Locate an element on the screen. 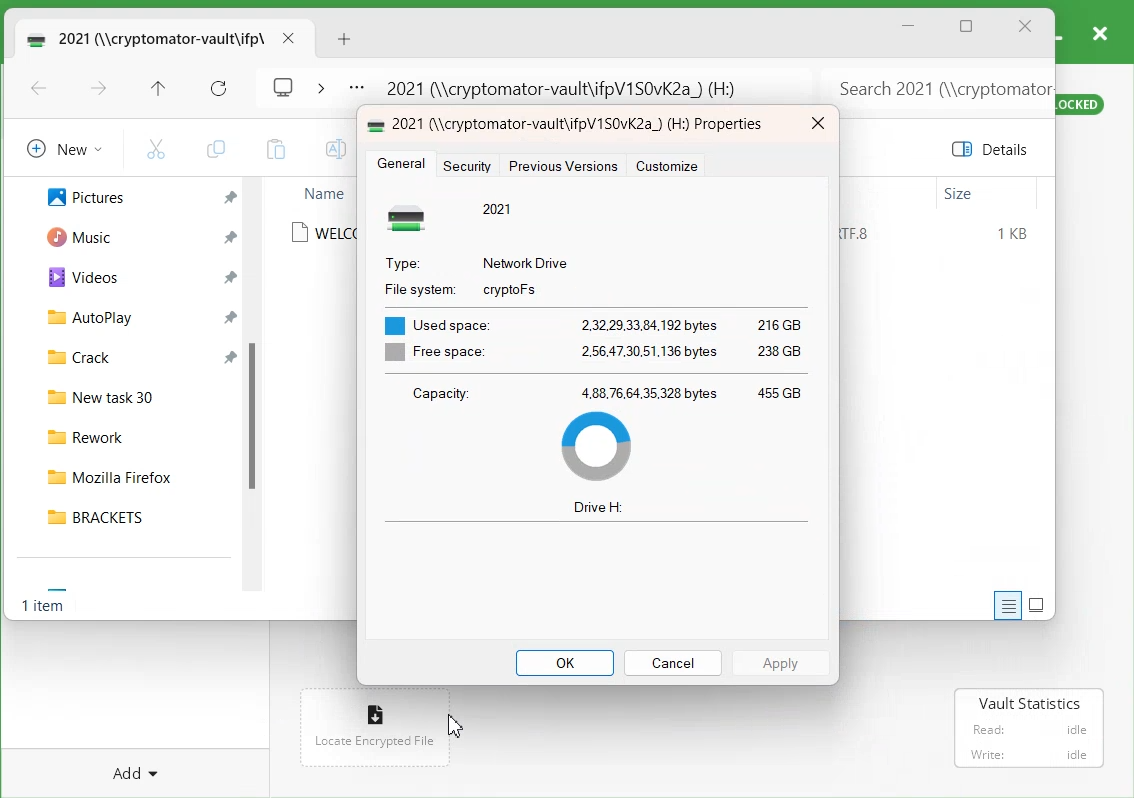 The width and height of the screenshot is (1134, 798). Bl Used space is located at coordinates (433, 320).